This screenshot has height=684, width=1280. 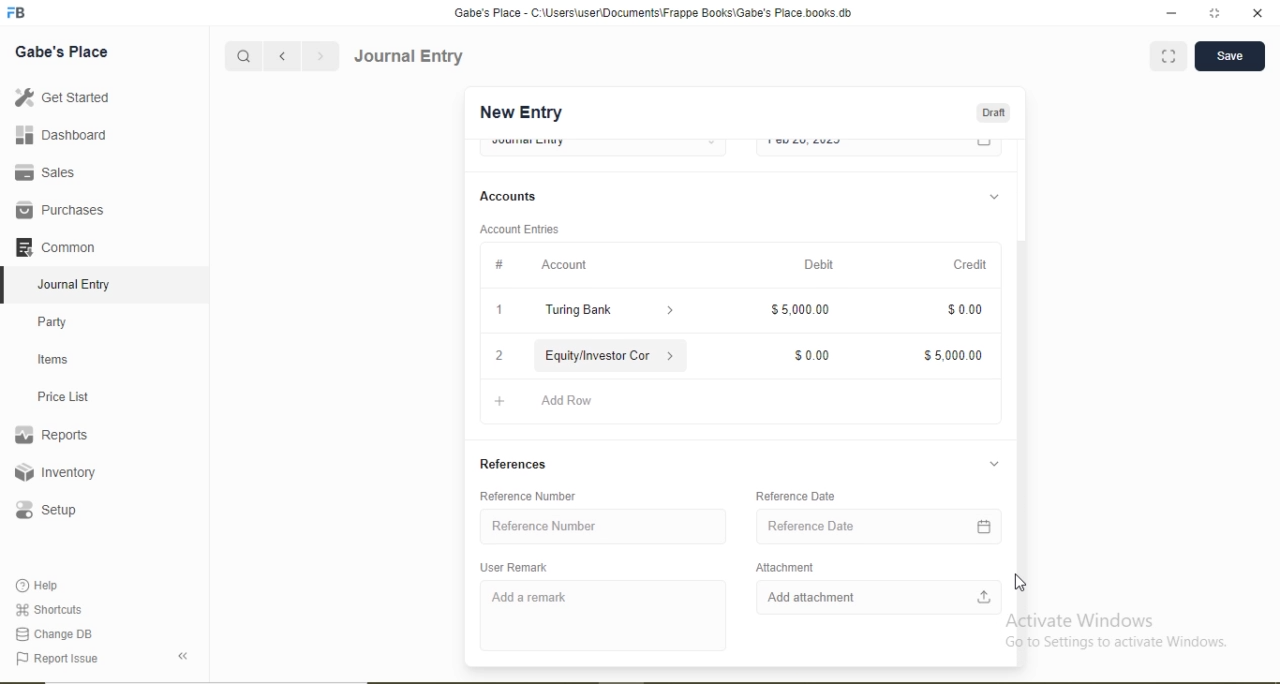 What do you see at coordinates (811, 597) in the screenshot?
I see `Add attachment` at bounding box center [811, 597].